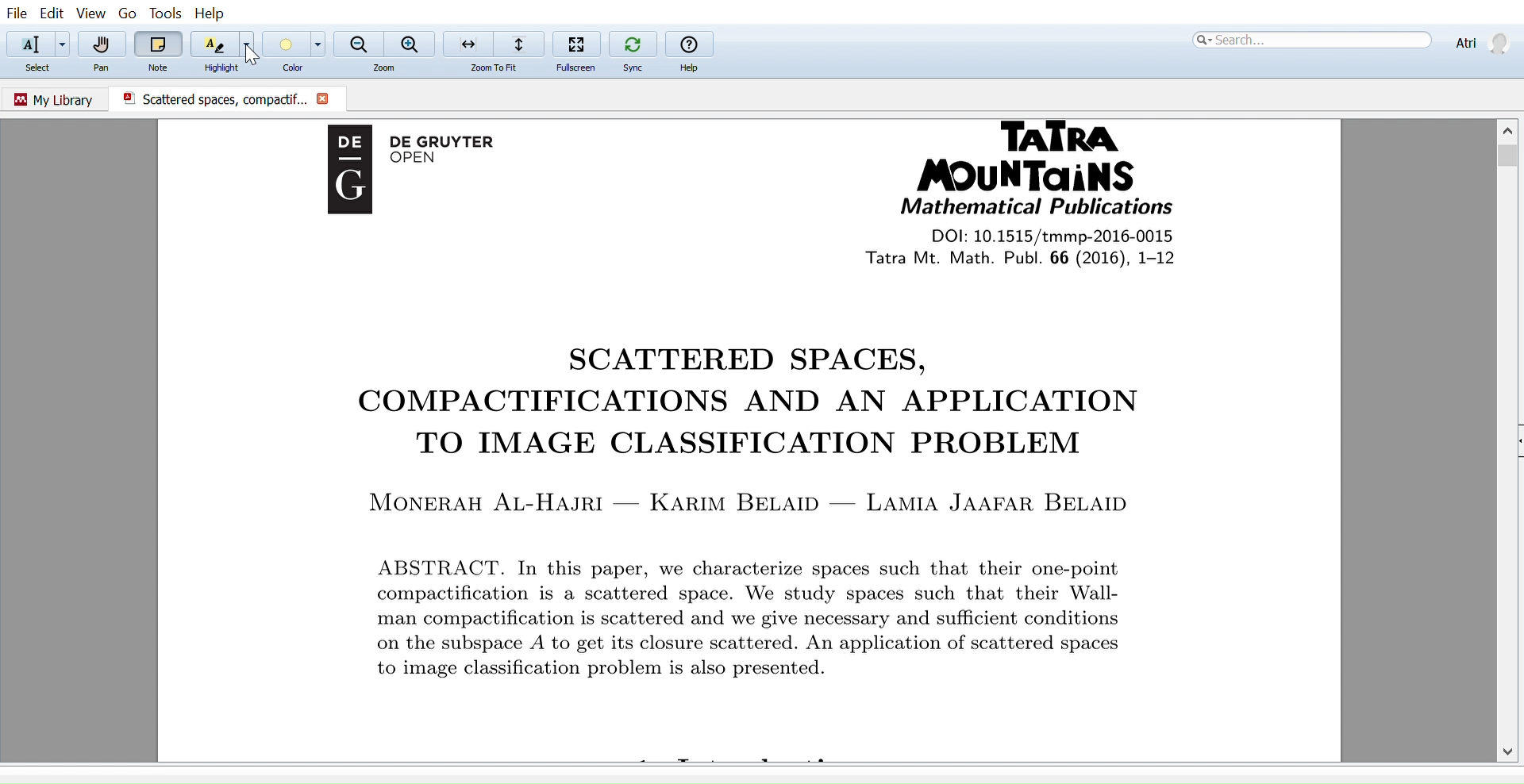 Image resolution: width=1524 pixels, height=784 pixels. What do you see at coordinates (51, 13) in the screenshot?
I see `Edit` at bounding box center [51, 13].